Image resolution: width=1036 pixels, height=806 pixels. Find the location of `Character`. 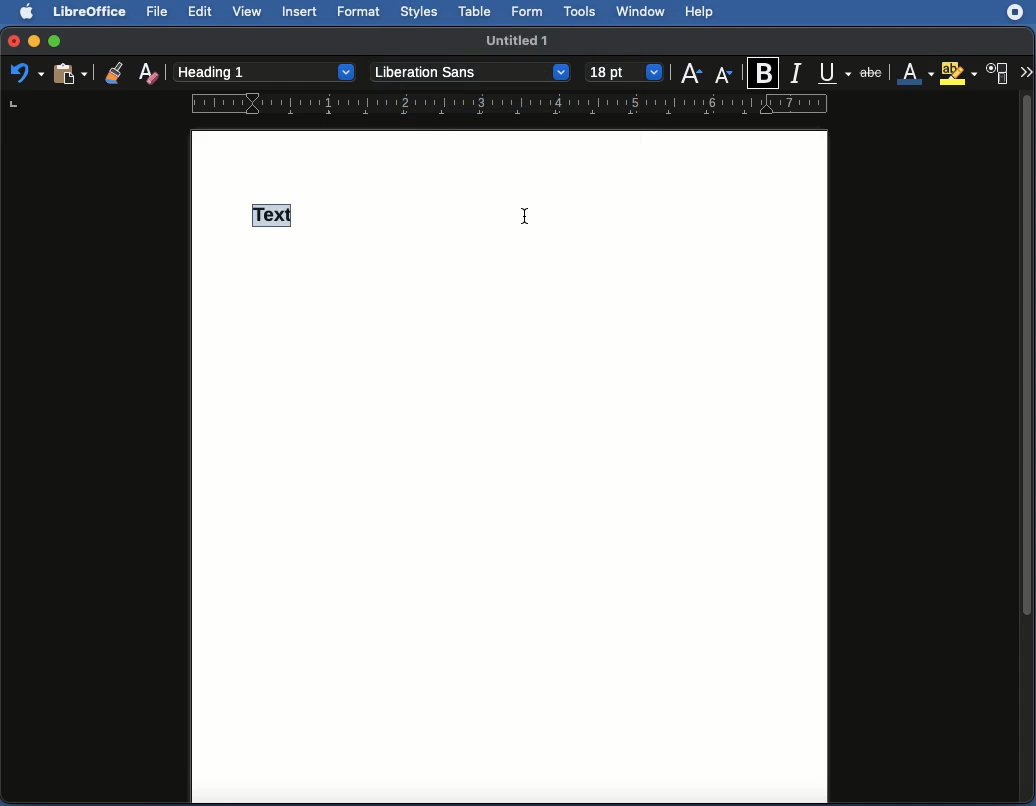

Character is located at coordinates (998, 74).